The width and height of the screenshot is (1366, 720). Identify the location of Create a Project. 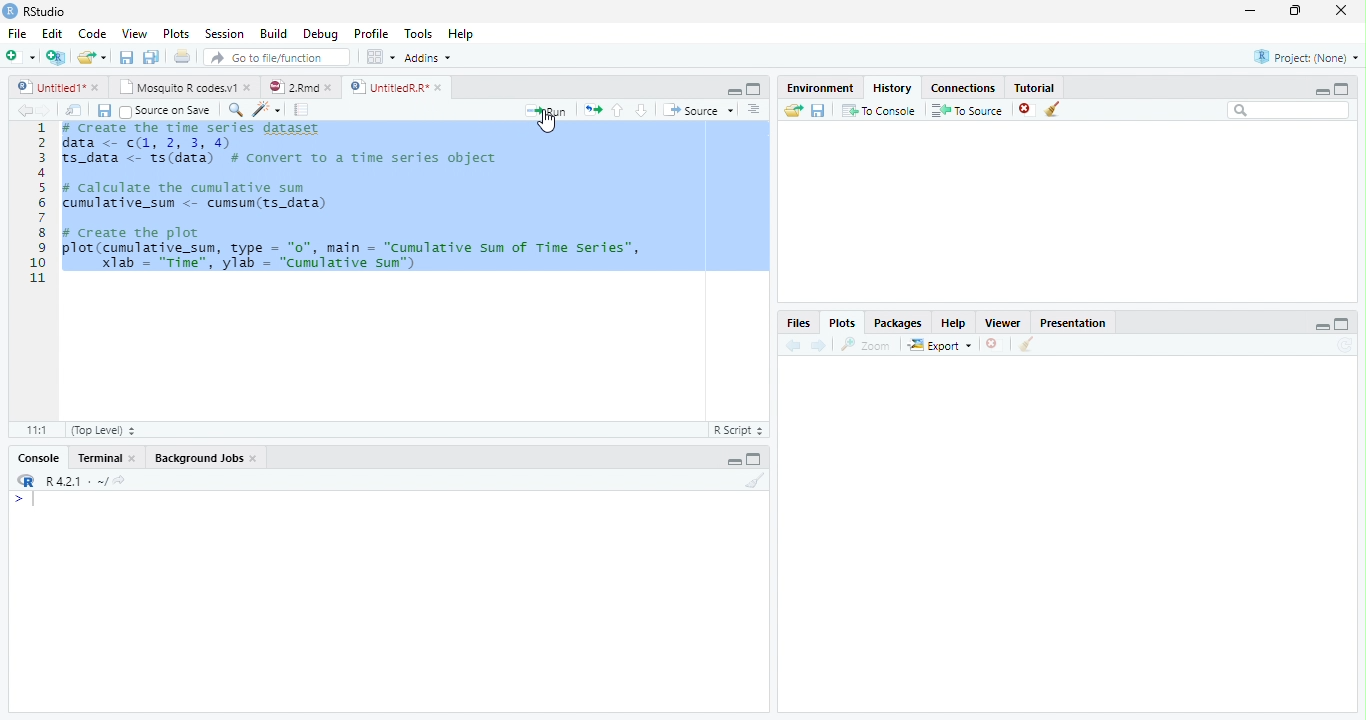
(56, 58).